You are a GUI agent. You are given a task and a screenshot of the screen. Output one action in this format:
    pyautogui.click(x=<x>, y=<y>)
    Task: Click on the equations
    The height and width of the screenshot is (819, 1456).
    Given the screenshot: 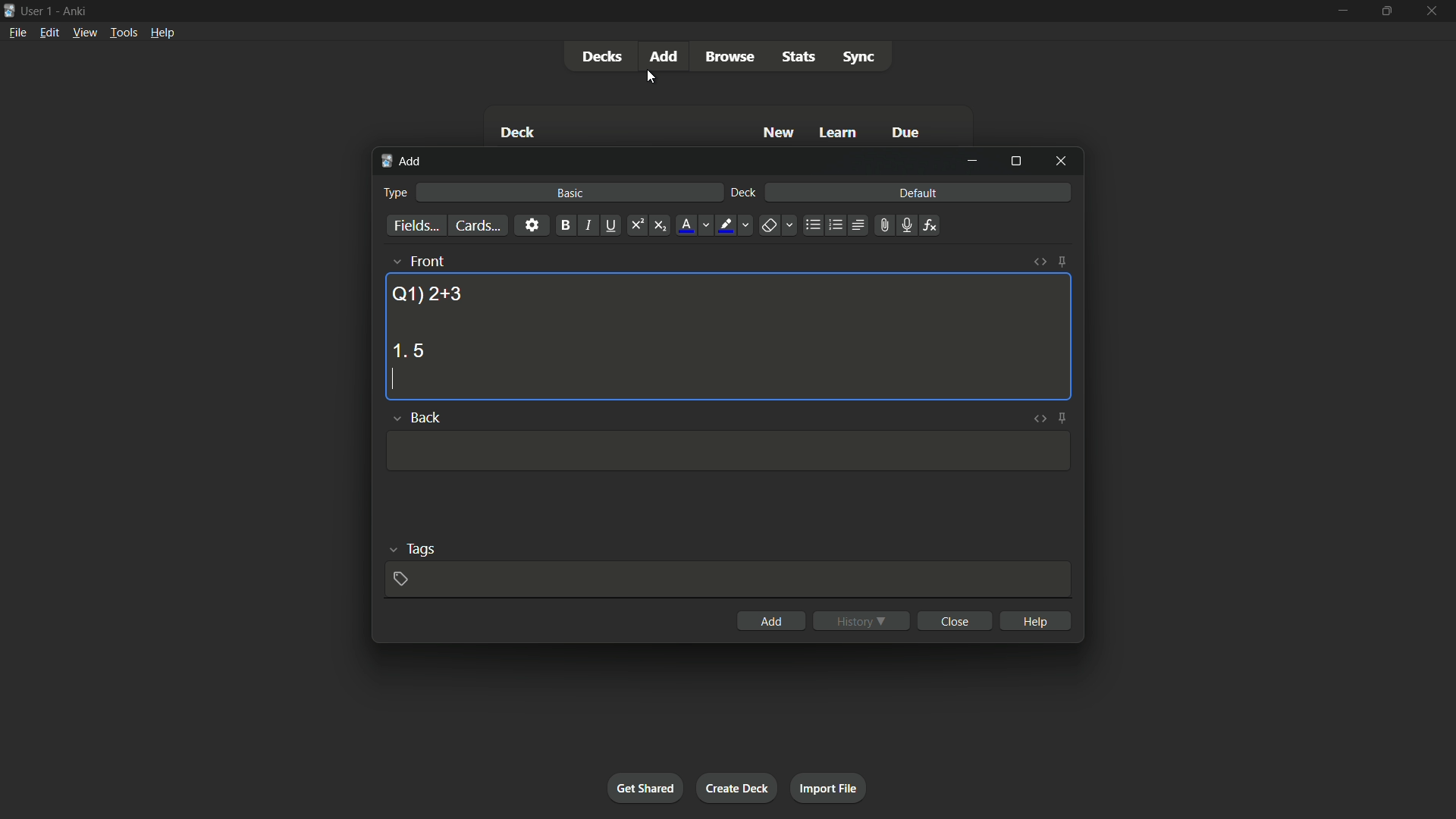 What is the action you would take?
    pyautogui.click(x=930, y=225)
    